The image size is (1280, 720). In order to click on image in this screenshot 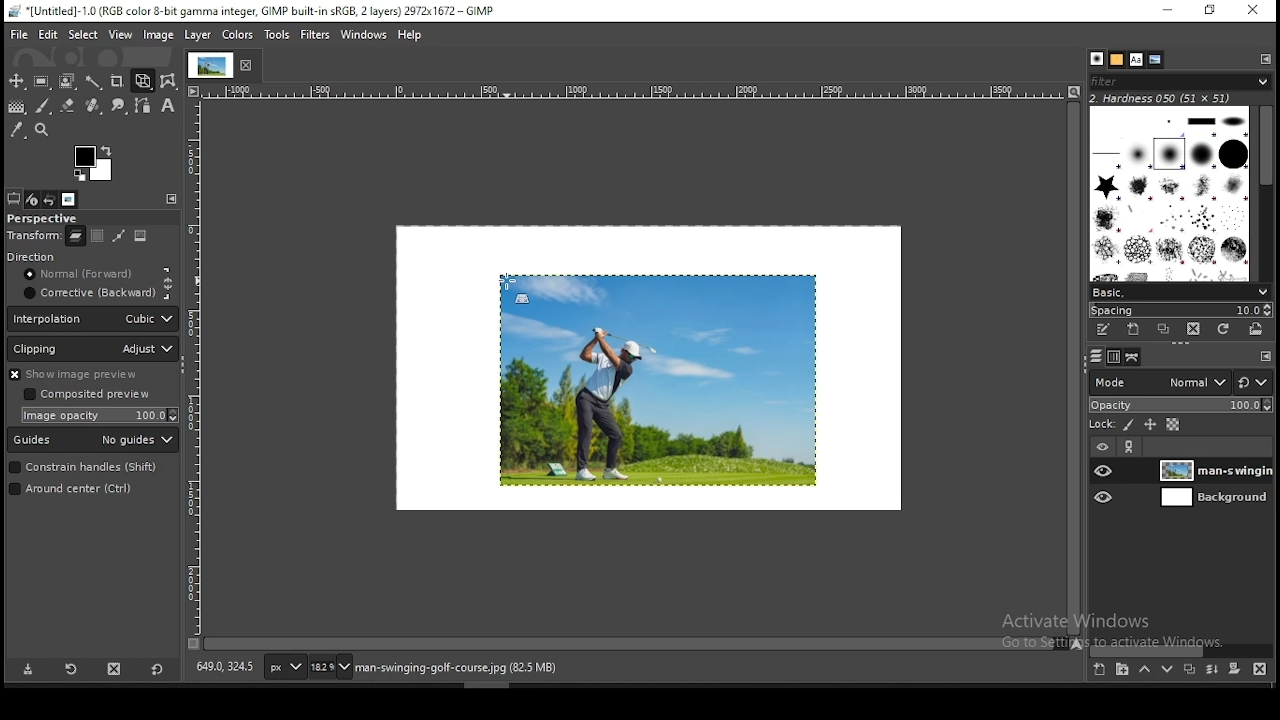, I will do `click(158, 35)`.